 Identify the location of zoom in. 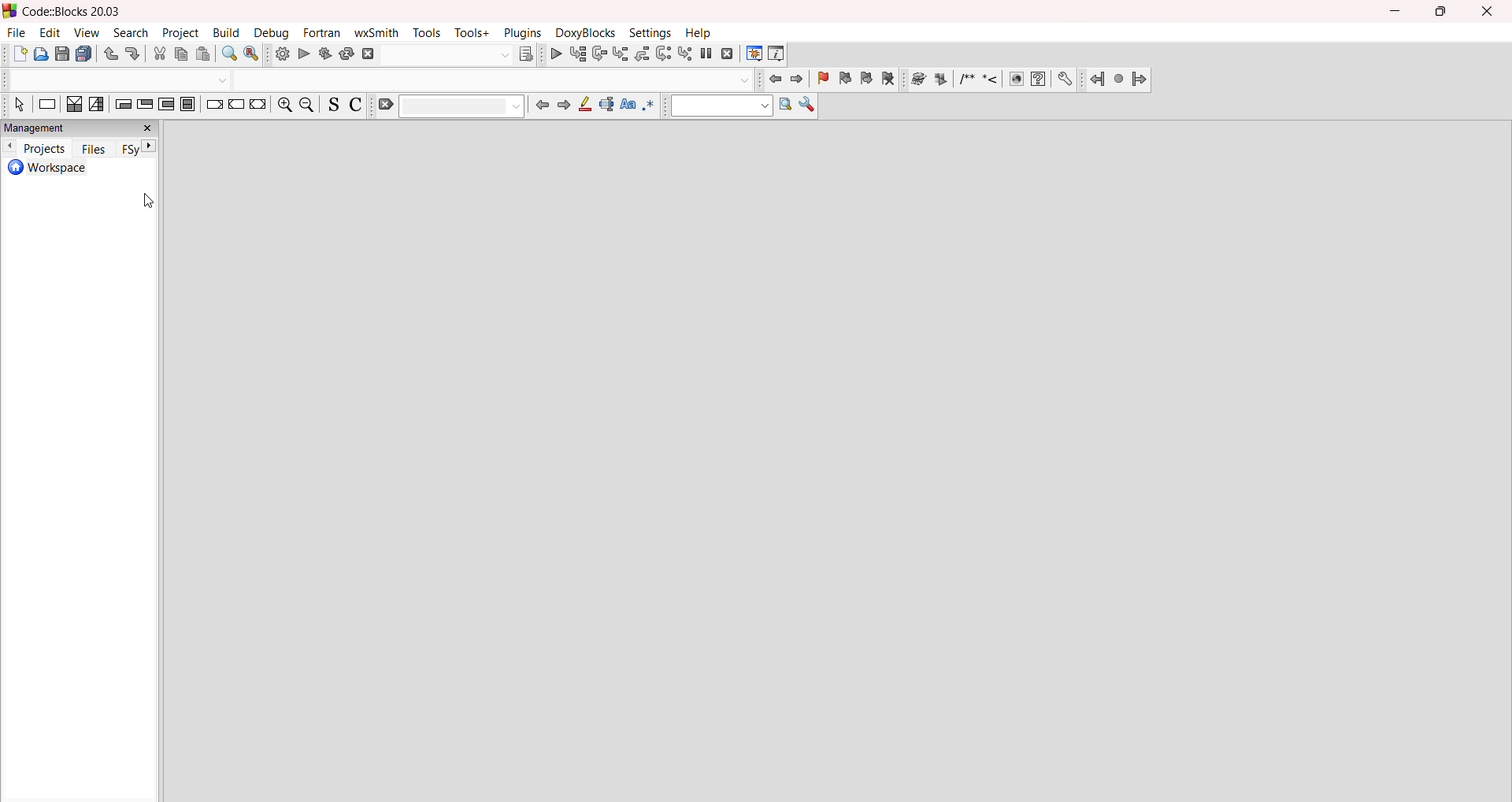
(285, 107).